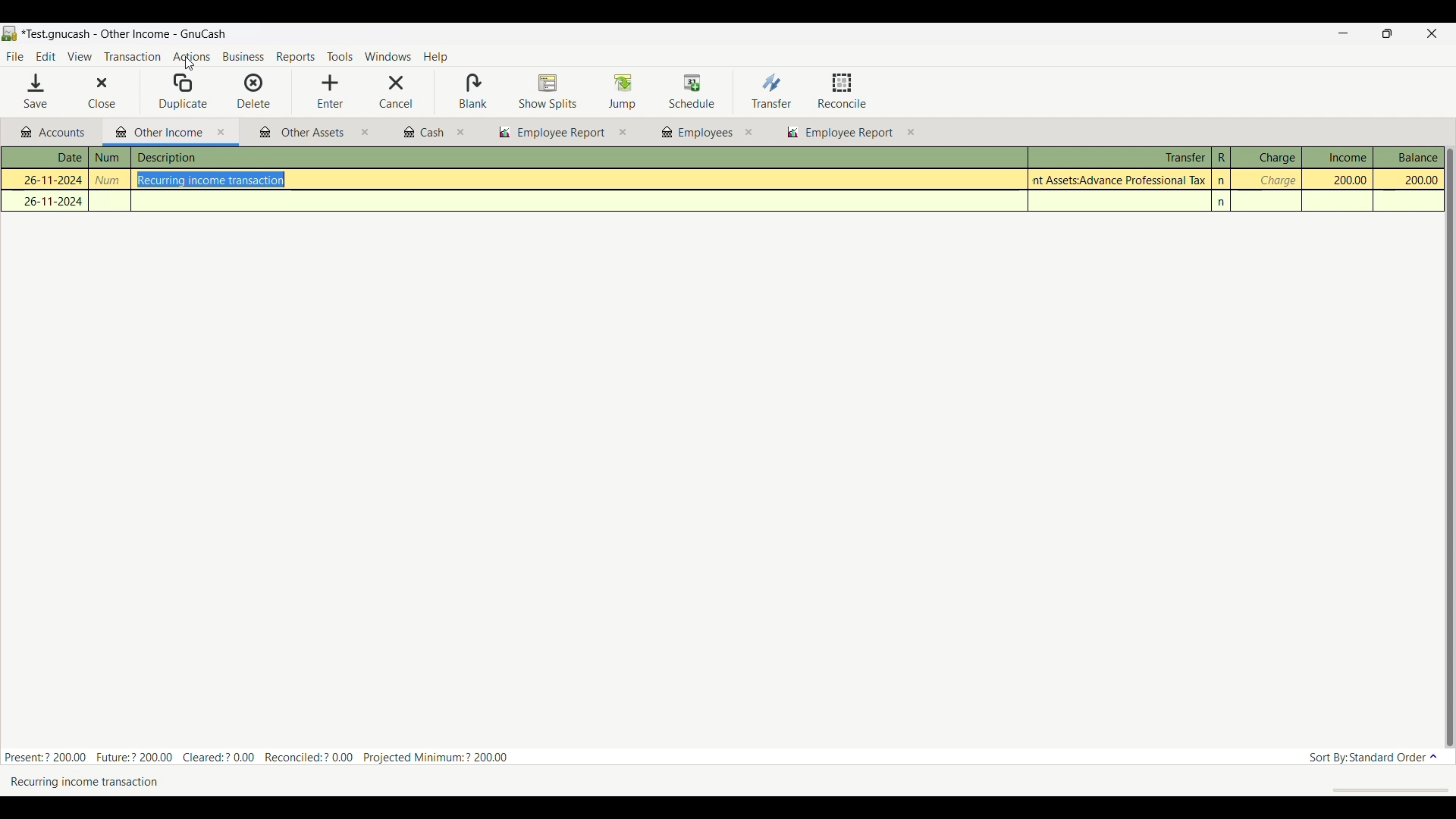  I want to click on Transfer, so click(771, 90).